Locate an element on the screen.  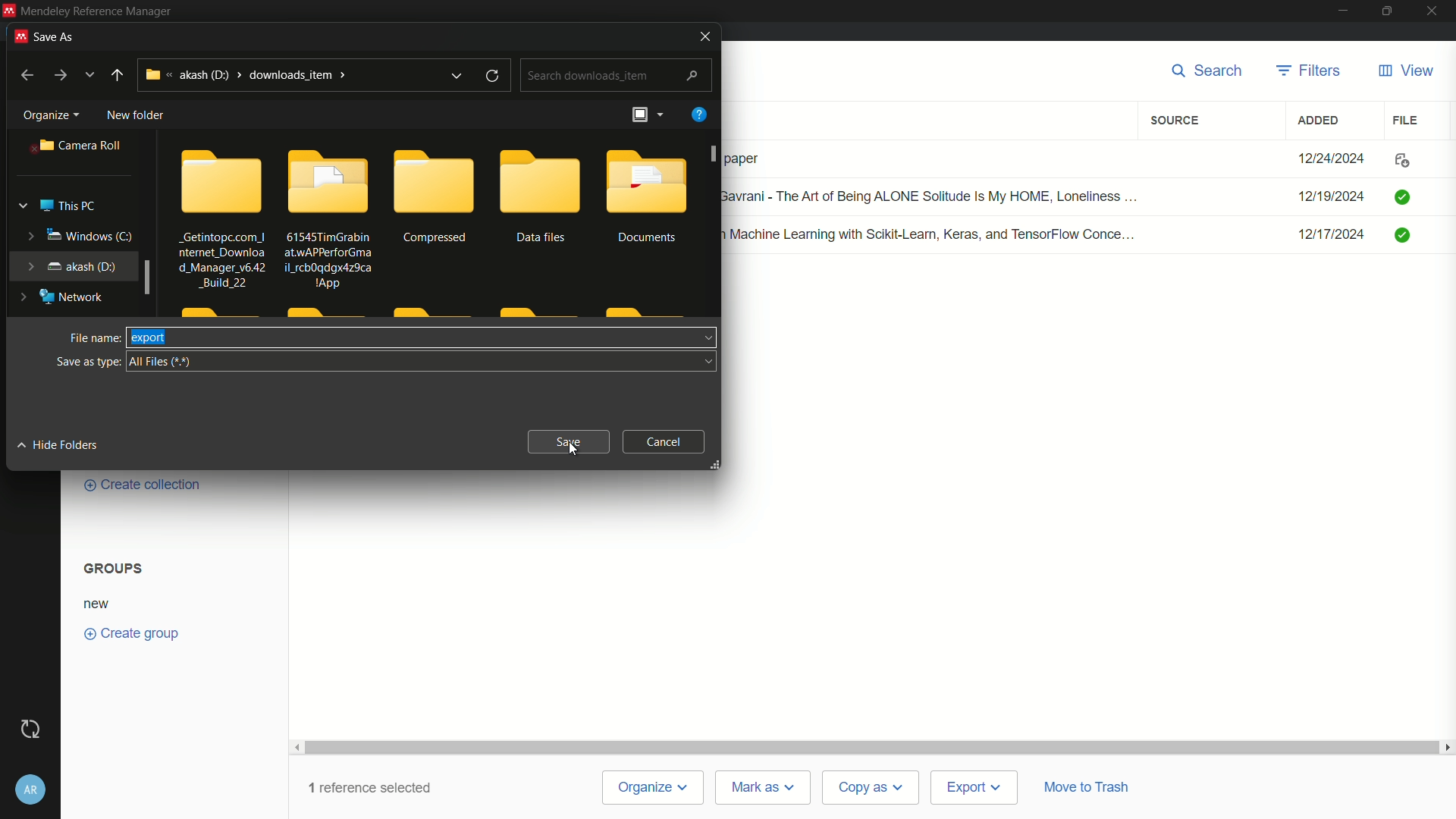
export is located at coordinates (974, 789).